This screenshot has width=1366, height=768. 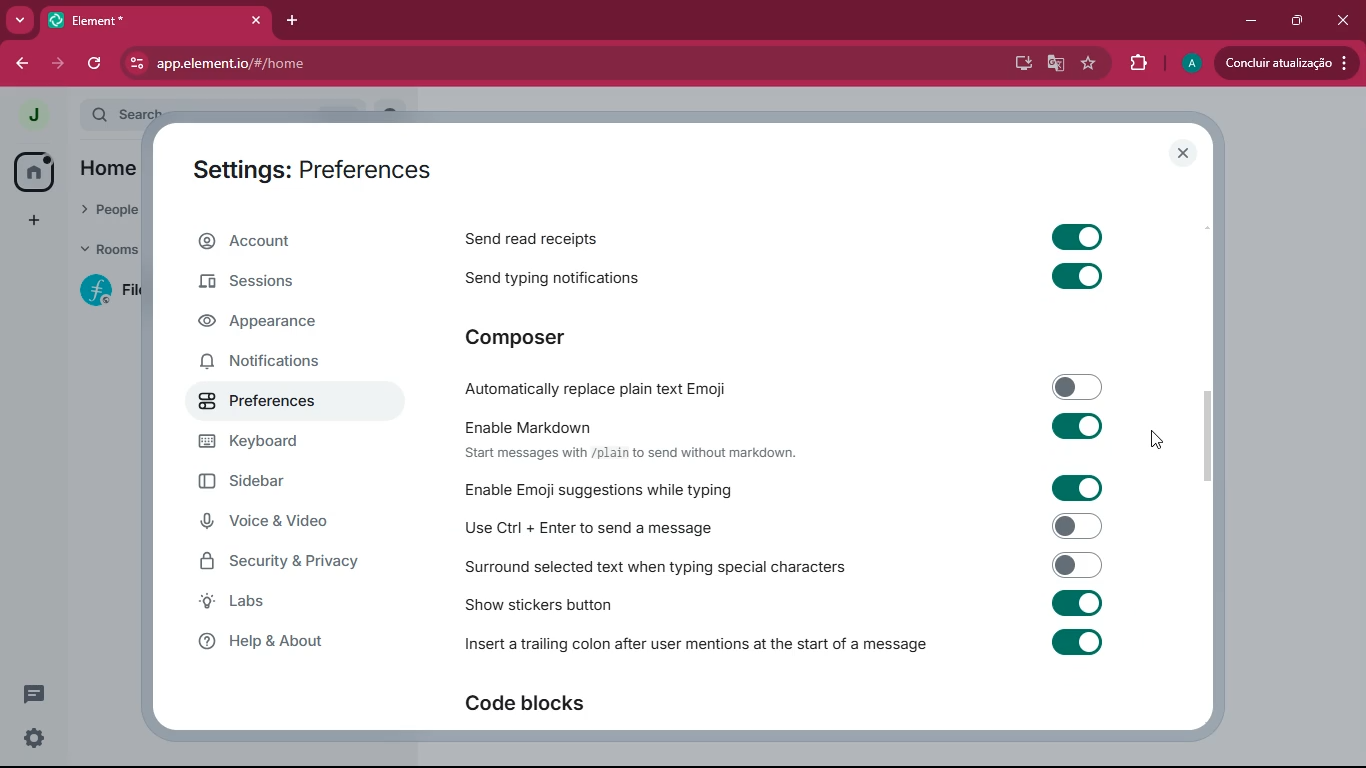 I want to click on composer, so click(x=545, y=340).